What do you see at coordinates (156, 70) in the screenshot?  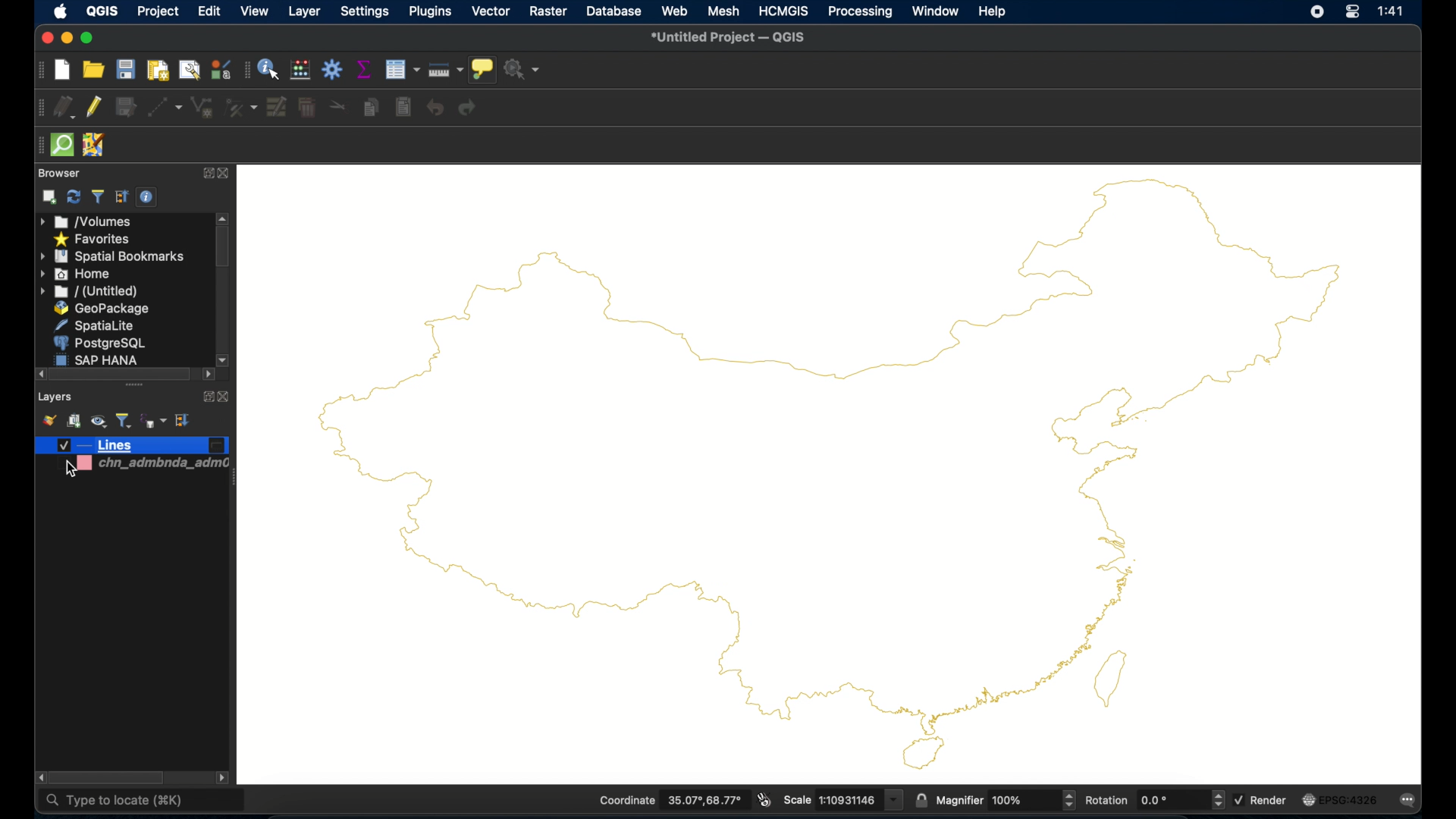 I see `print layout` at bounding box center [156, 70].